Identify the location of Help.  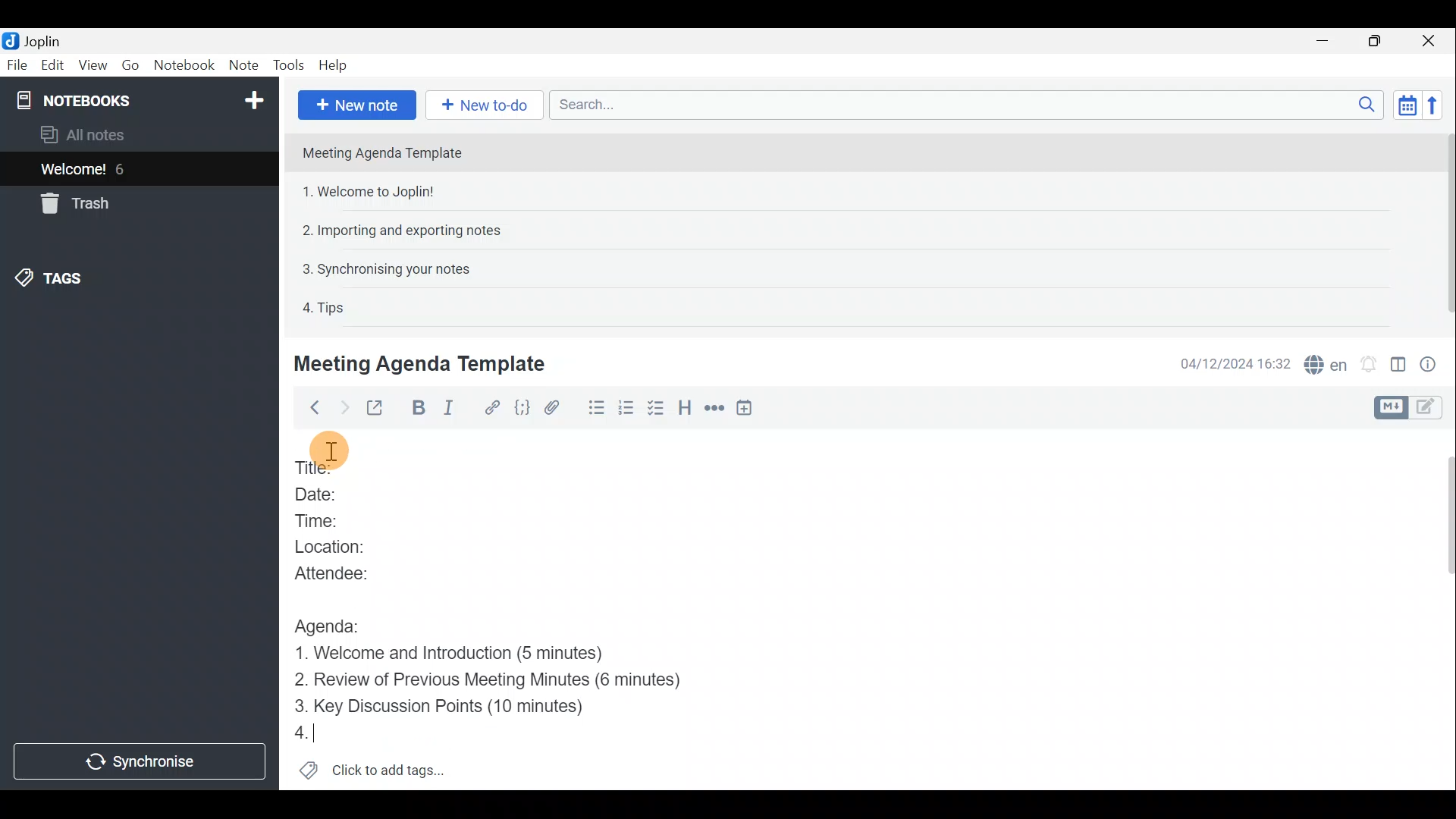
(336, 65).